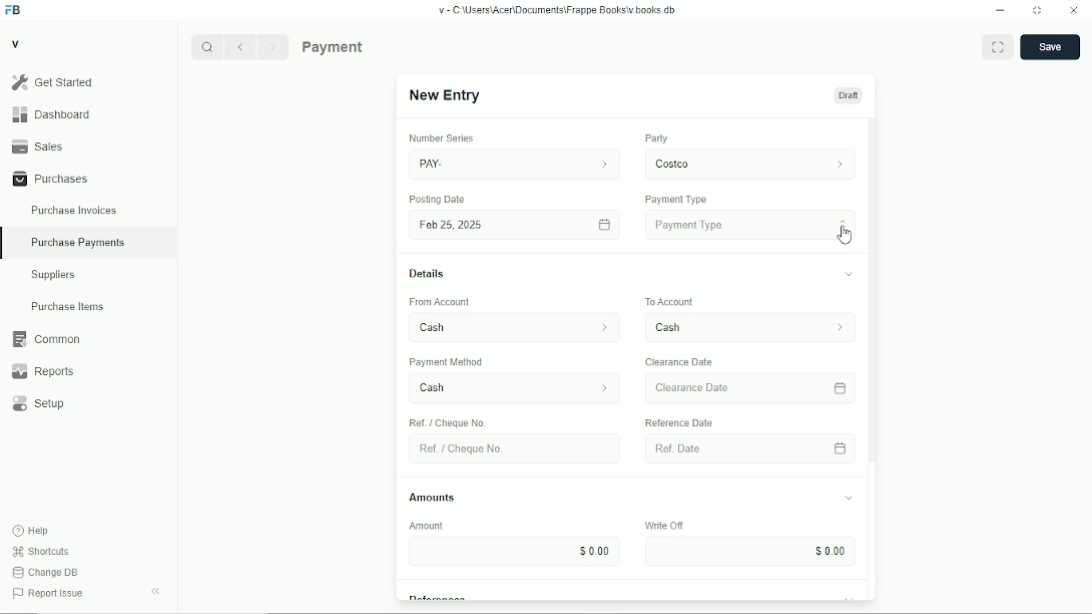 Image resolution: width=1092 pixels, height=614 pixels. I want to click on Help, so click(31, 531).